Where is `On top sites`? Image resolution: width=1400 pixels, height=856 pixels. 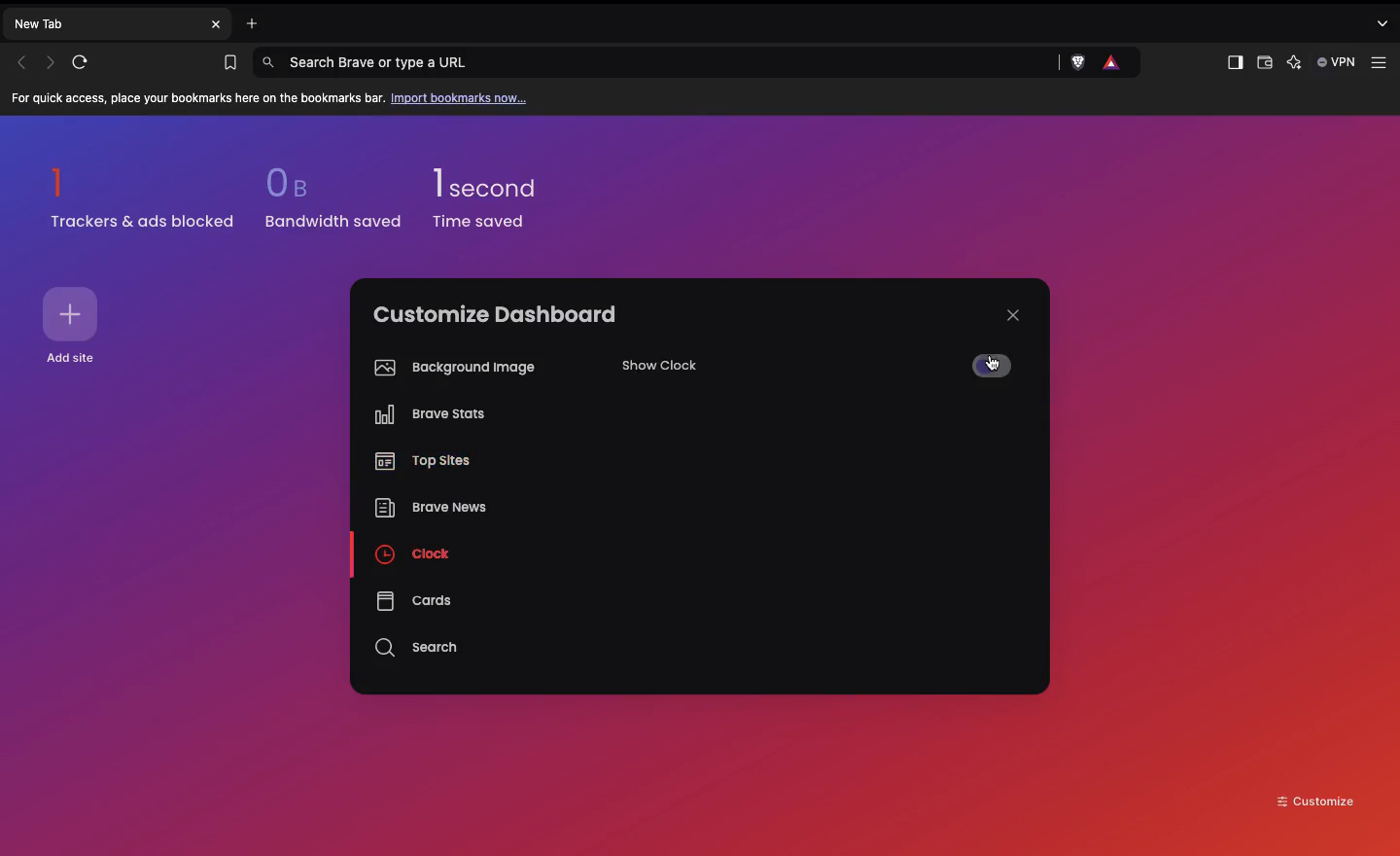 On top sites is located at coordinates (424, 462).